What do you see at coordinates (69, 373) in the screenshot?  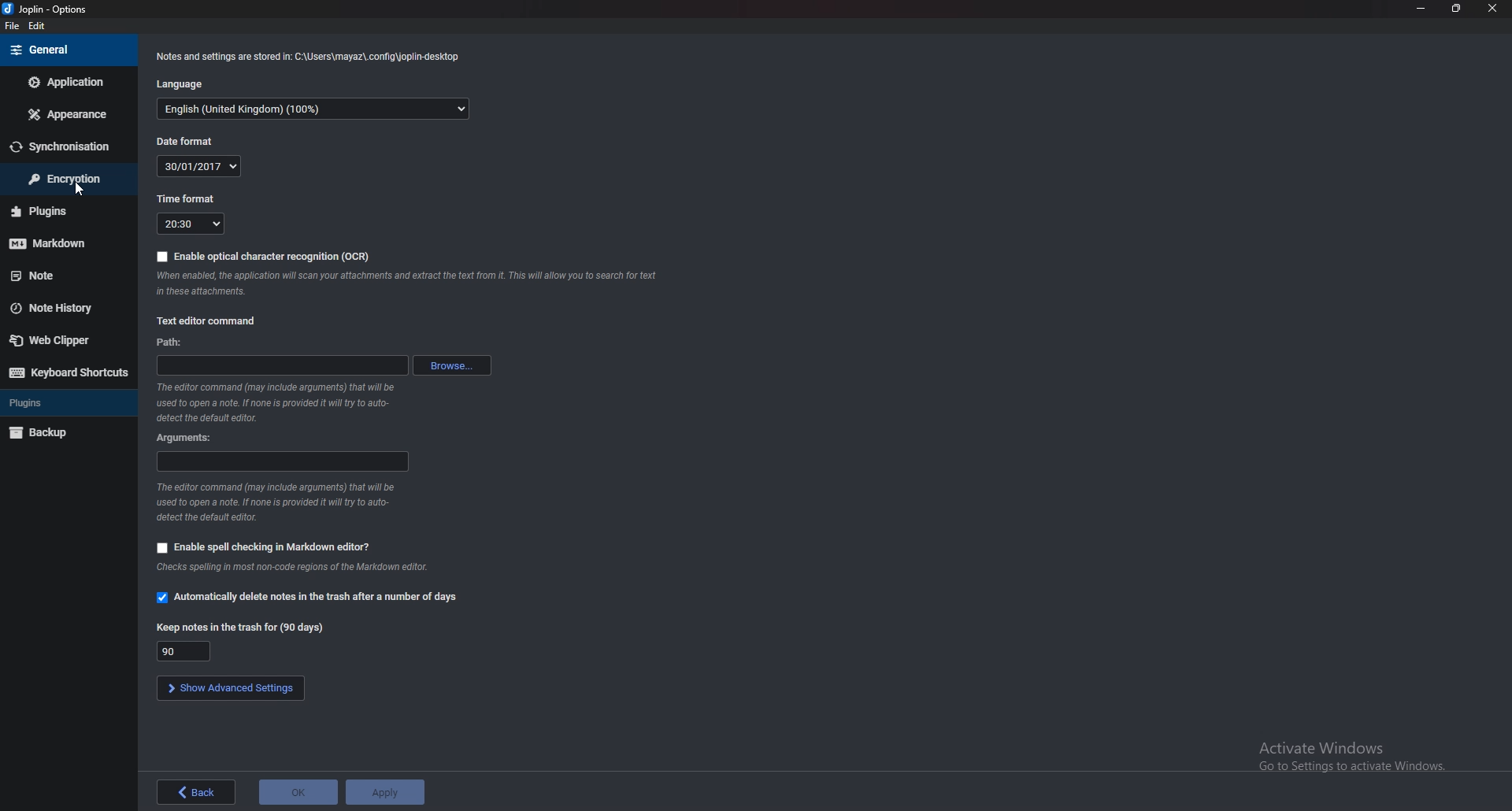 I see `keyboard shortcuts` at bounding box center [69, 373].